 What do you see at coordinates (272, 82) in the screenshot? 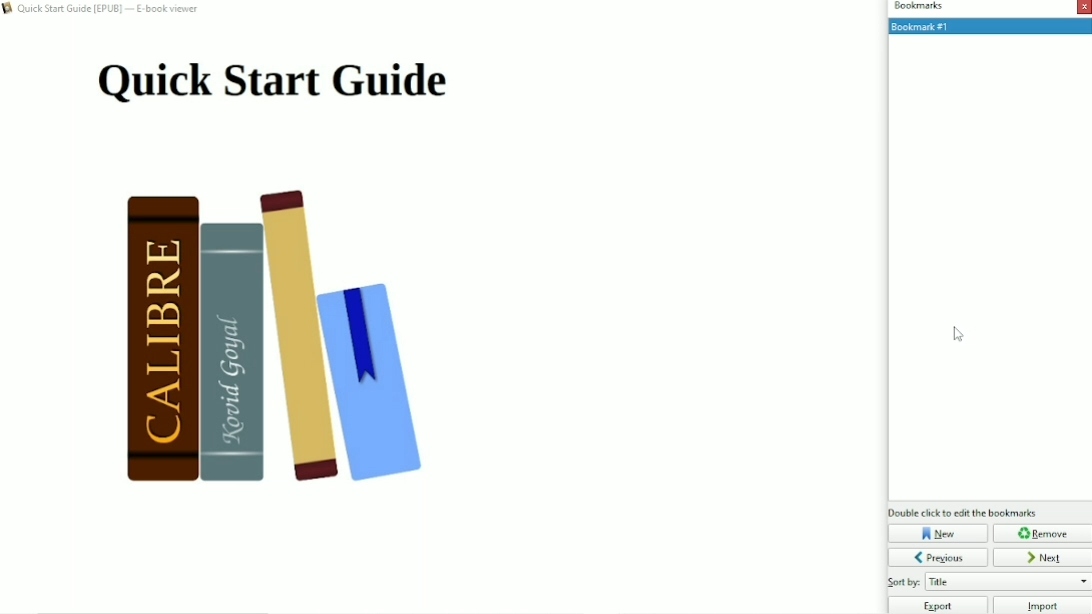
I see `Title` at bounding box center [272, 82].